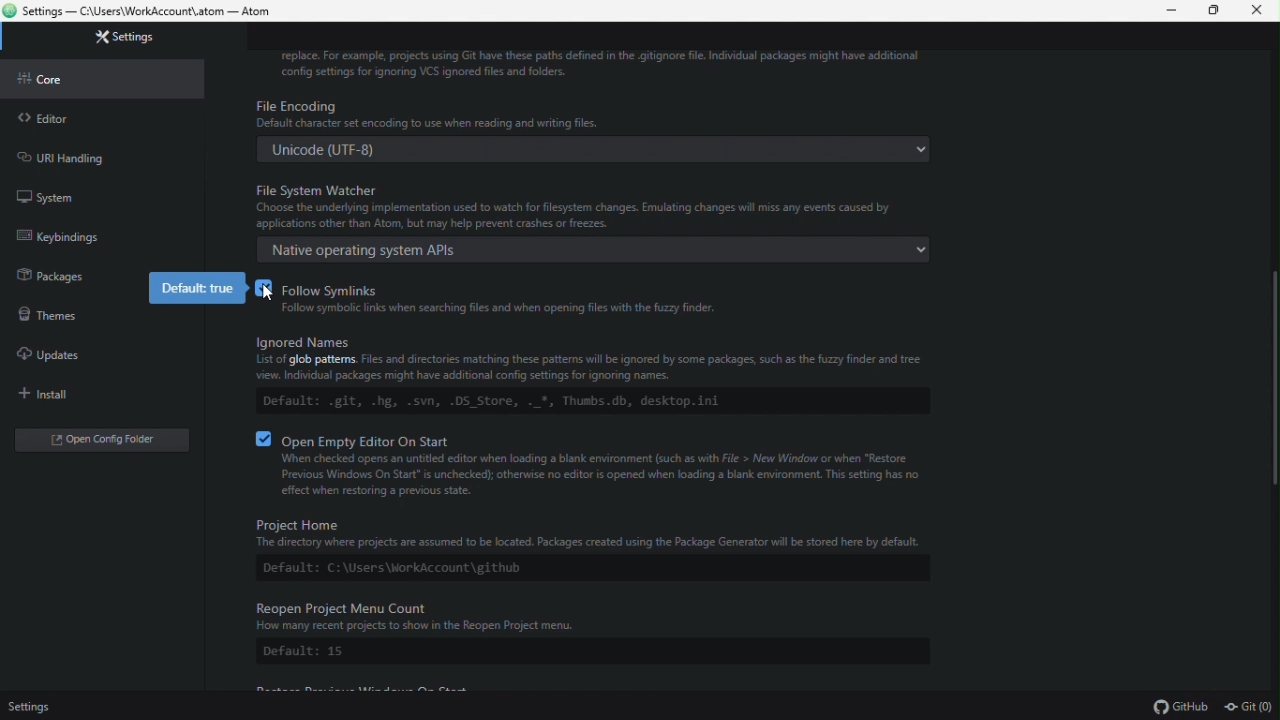  Describe the element at coordinates (46, 311) in the screenshot. I see `Themes` at that location.